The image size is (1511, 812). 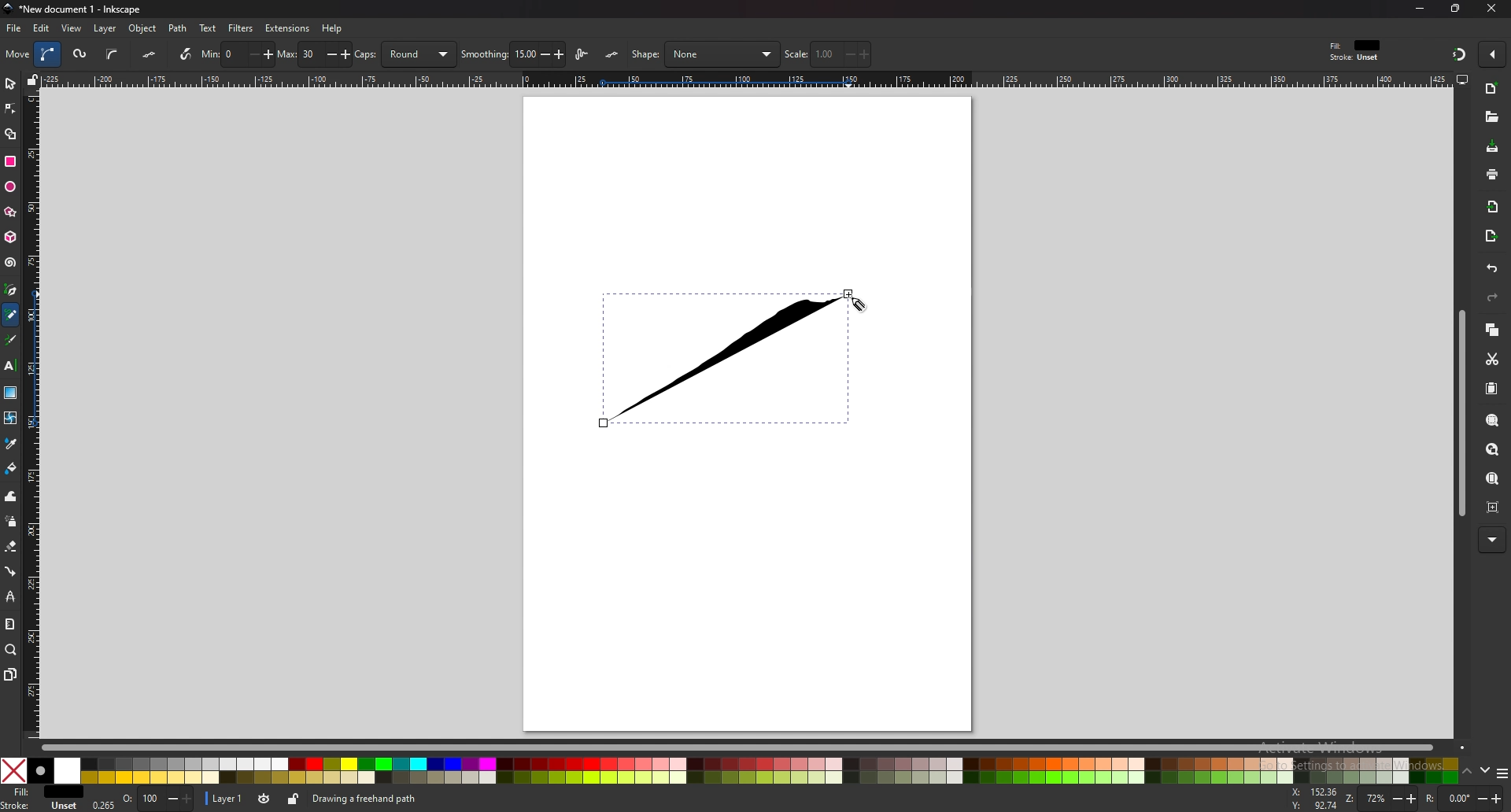 What do you see at coordinates (1419, 9) in the screenshot?
I see `minimize` at bounding box center [1419, 9].